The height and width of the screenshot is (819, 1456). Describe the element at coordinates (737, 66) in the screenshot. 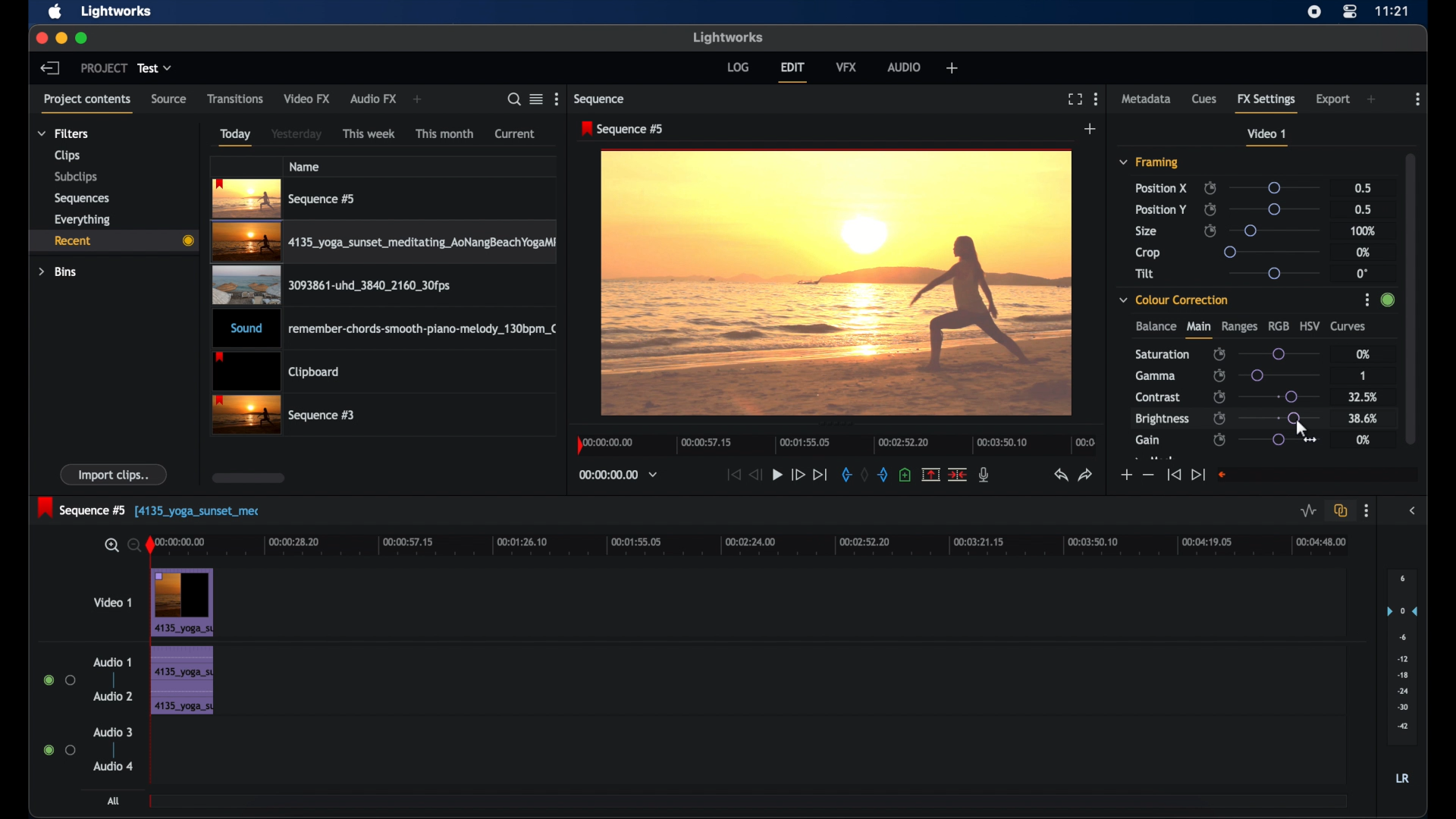

I see `log` at that location.